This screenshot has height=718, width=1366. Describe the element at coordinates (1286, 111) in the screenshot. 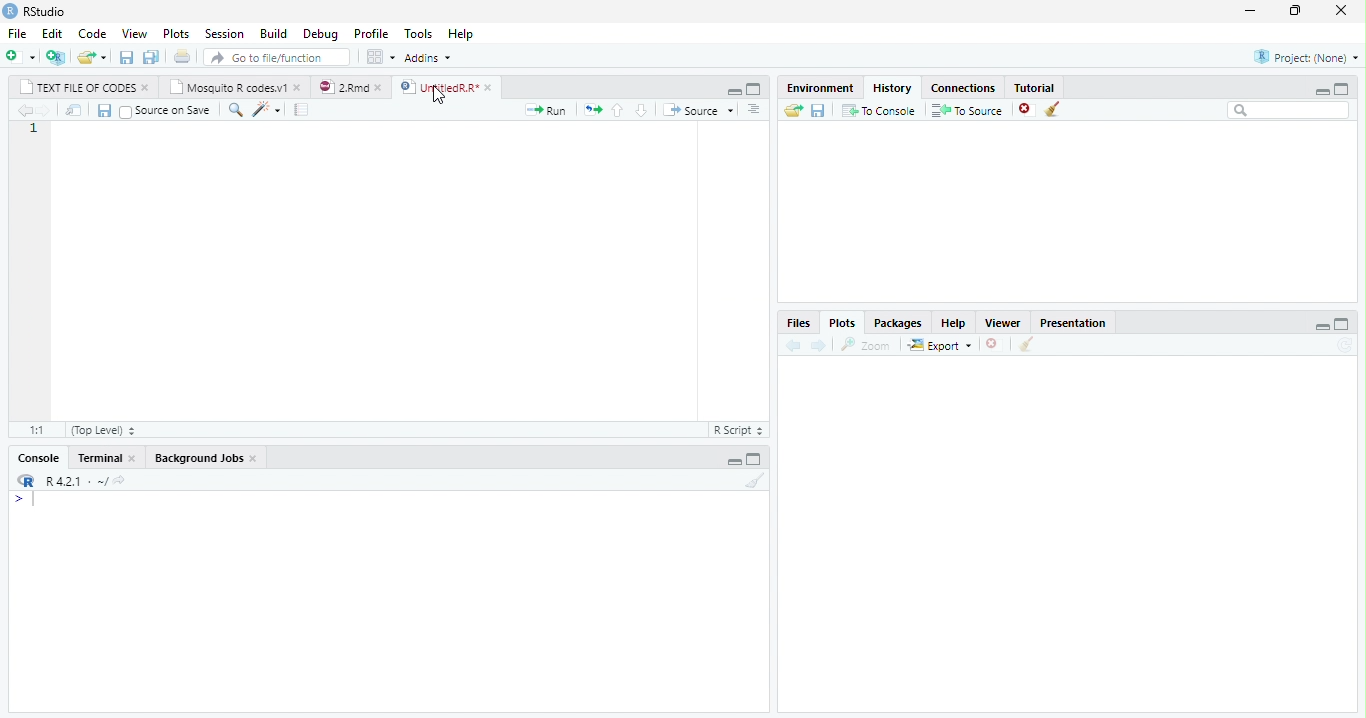

I see `search` at that location.